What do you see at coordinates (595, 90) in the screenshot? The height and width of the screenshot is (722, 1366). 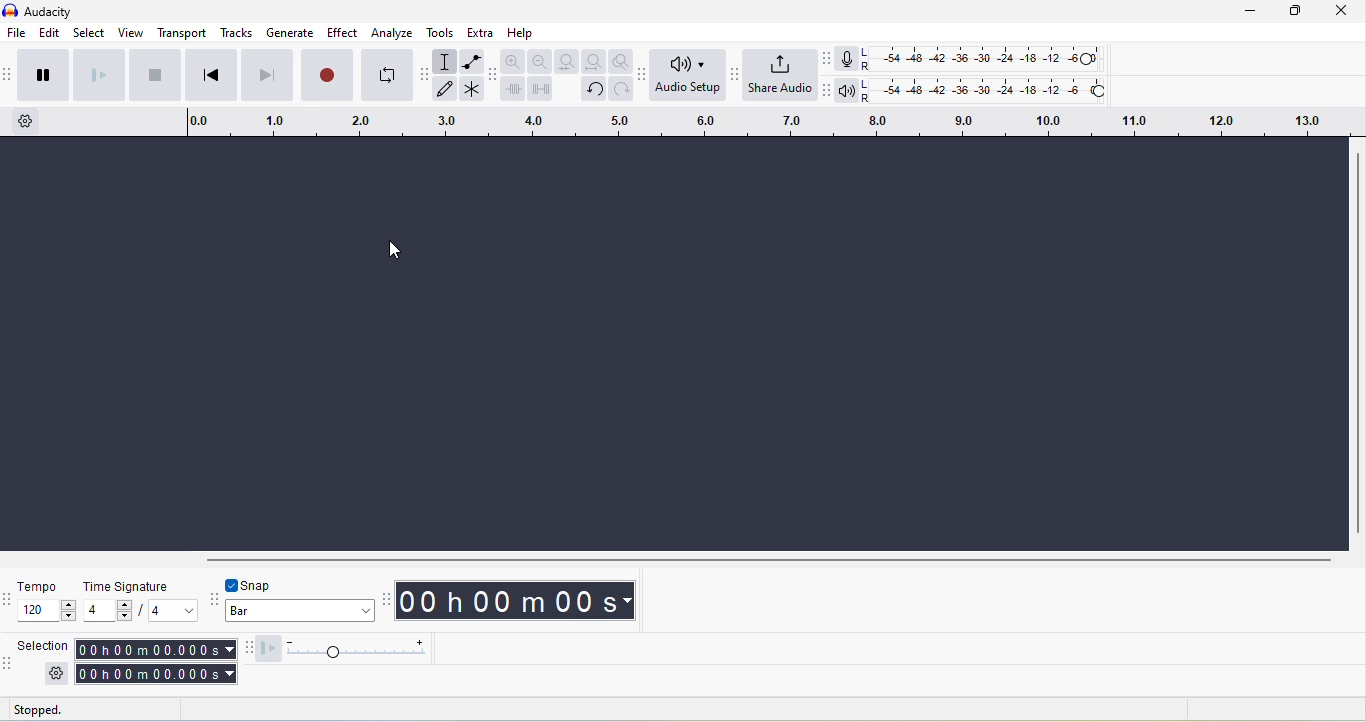 I see `undo` at bounding box center [595, 90].